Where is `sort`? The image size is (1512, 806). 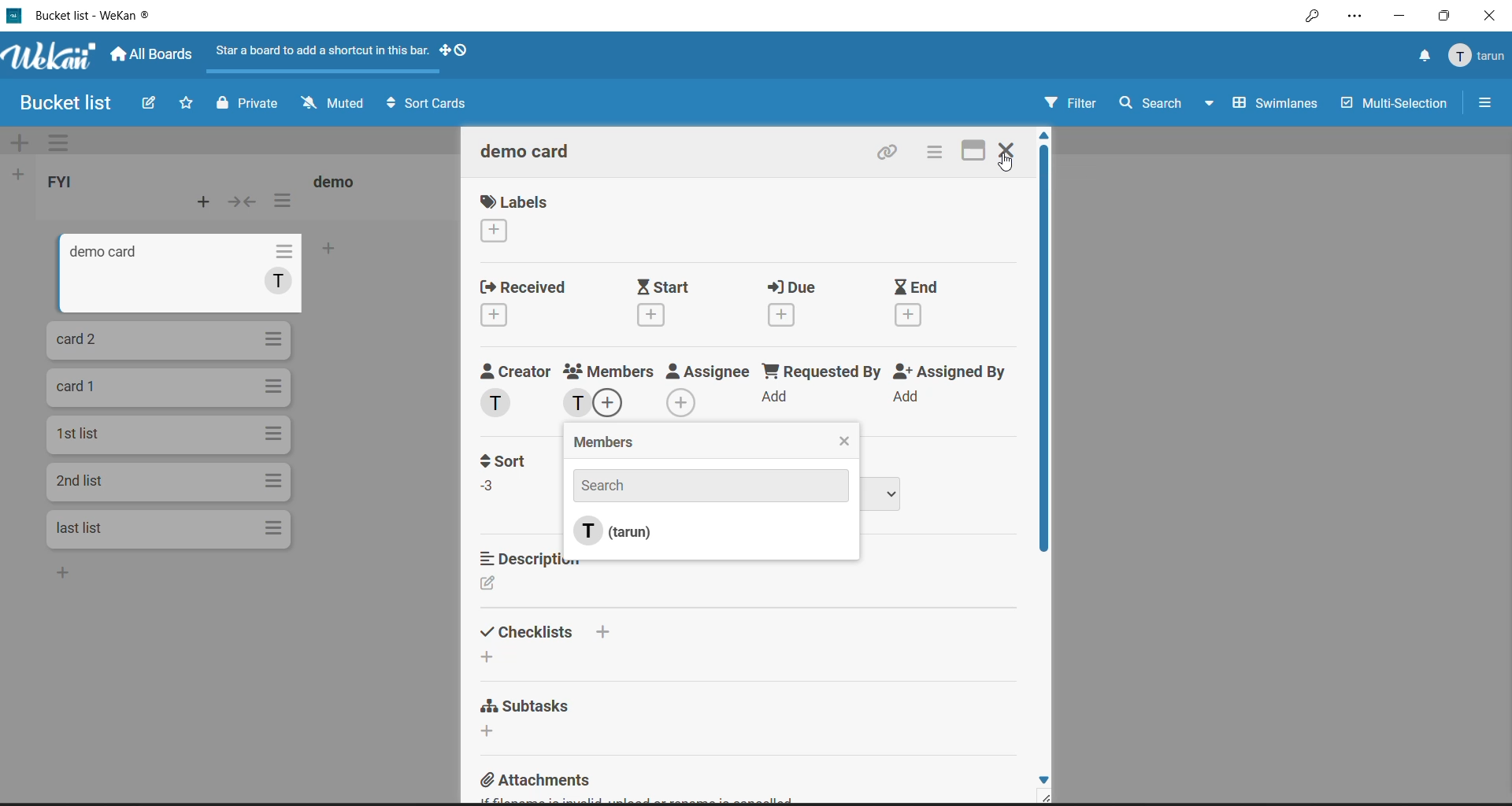
sort is located at coordinates (510, 462).